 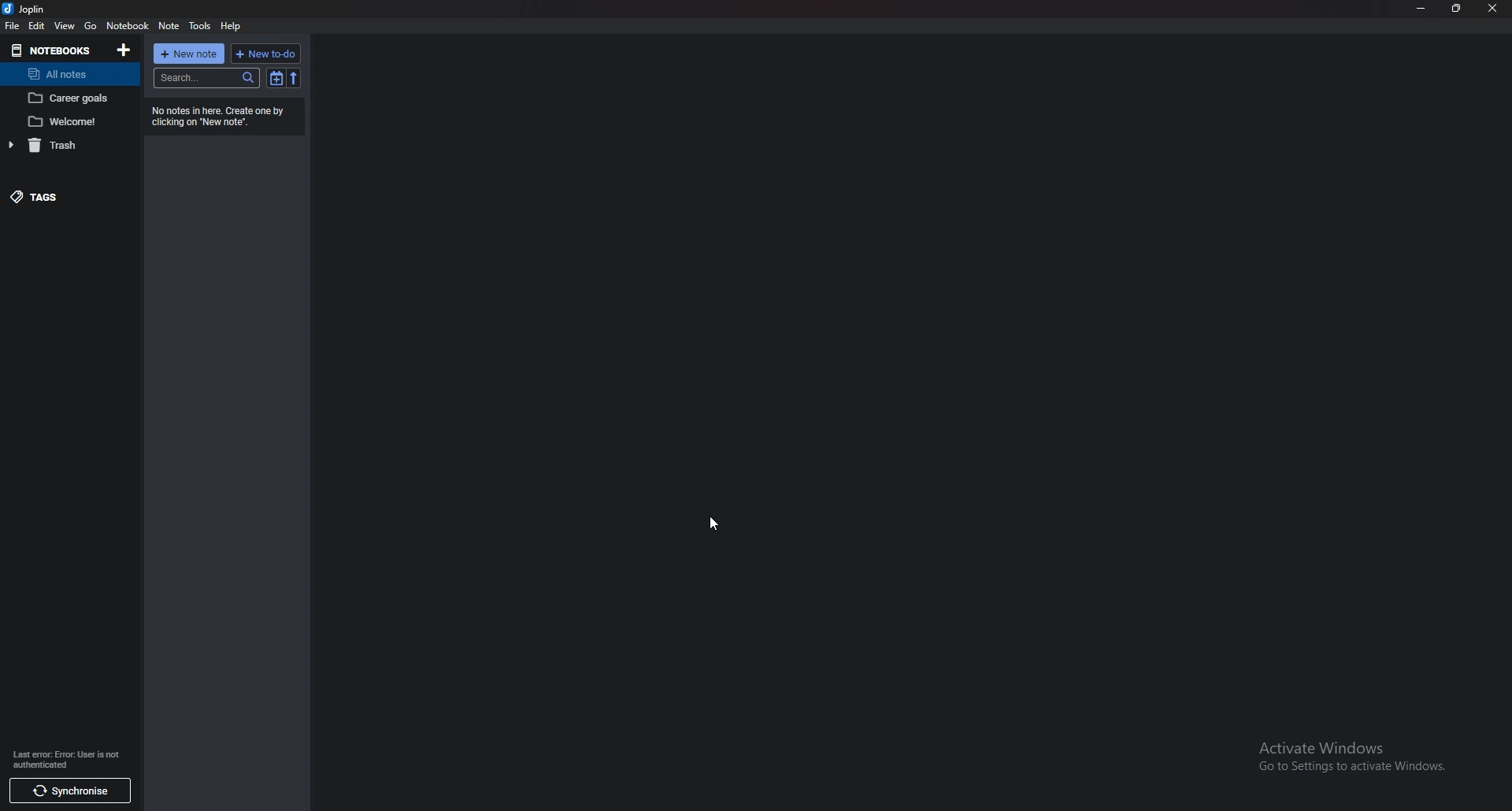 I want to click on info, so click(x=66, y=760).